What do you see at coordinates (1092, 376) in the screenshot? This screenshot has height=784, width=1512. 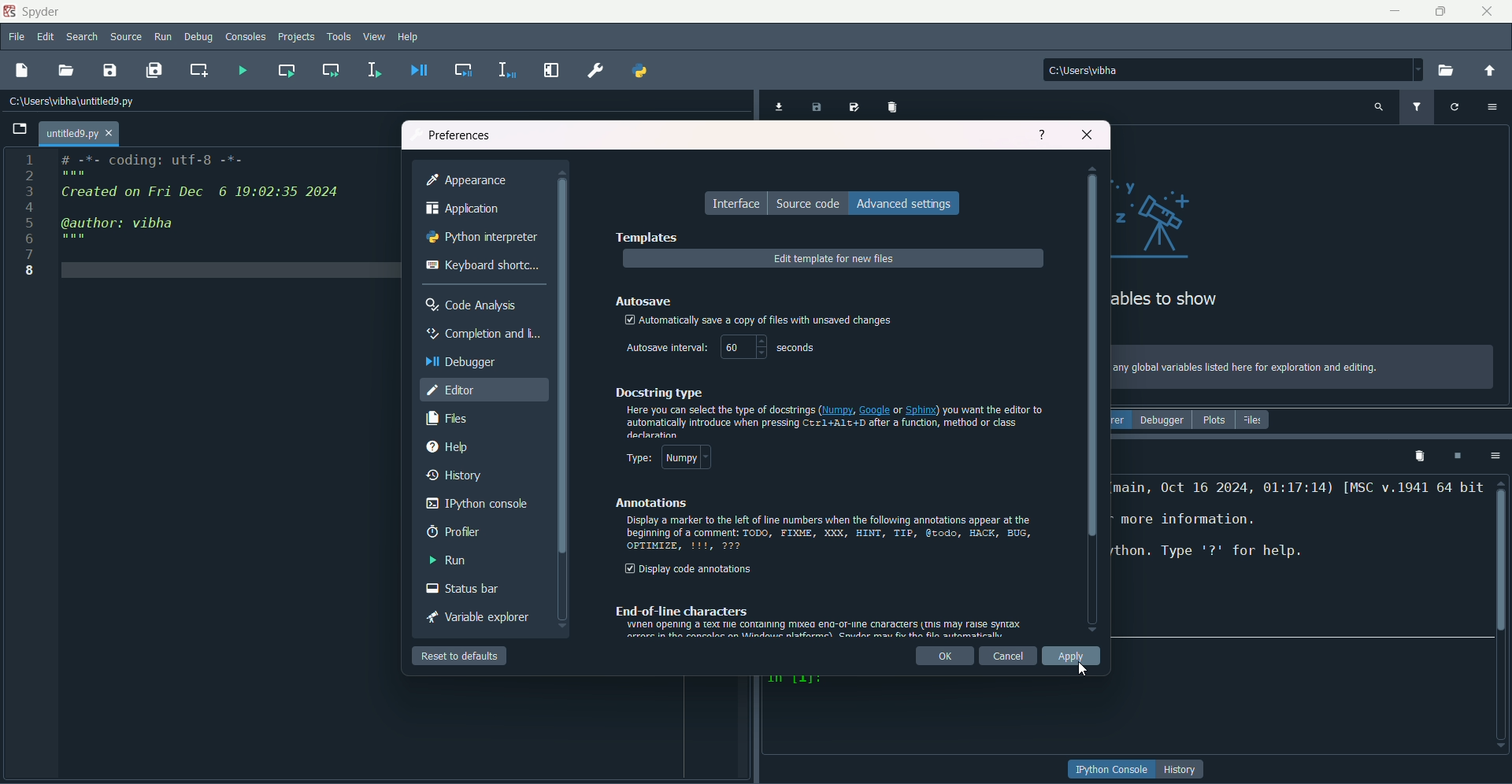 I see `scrollbar` at bounding box center [1092, 376].